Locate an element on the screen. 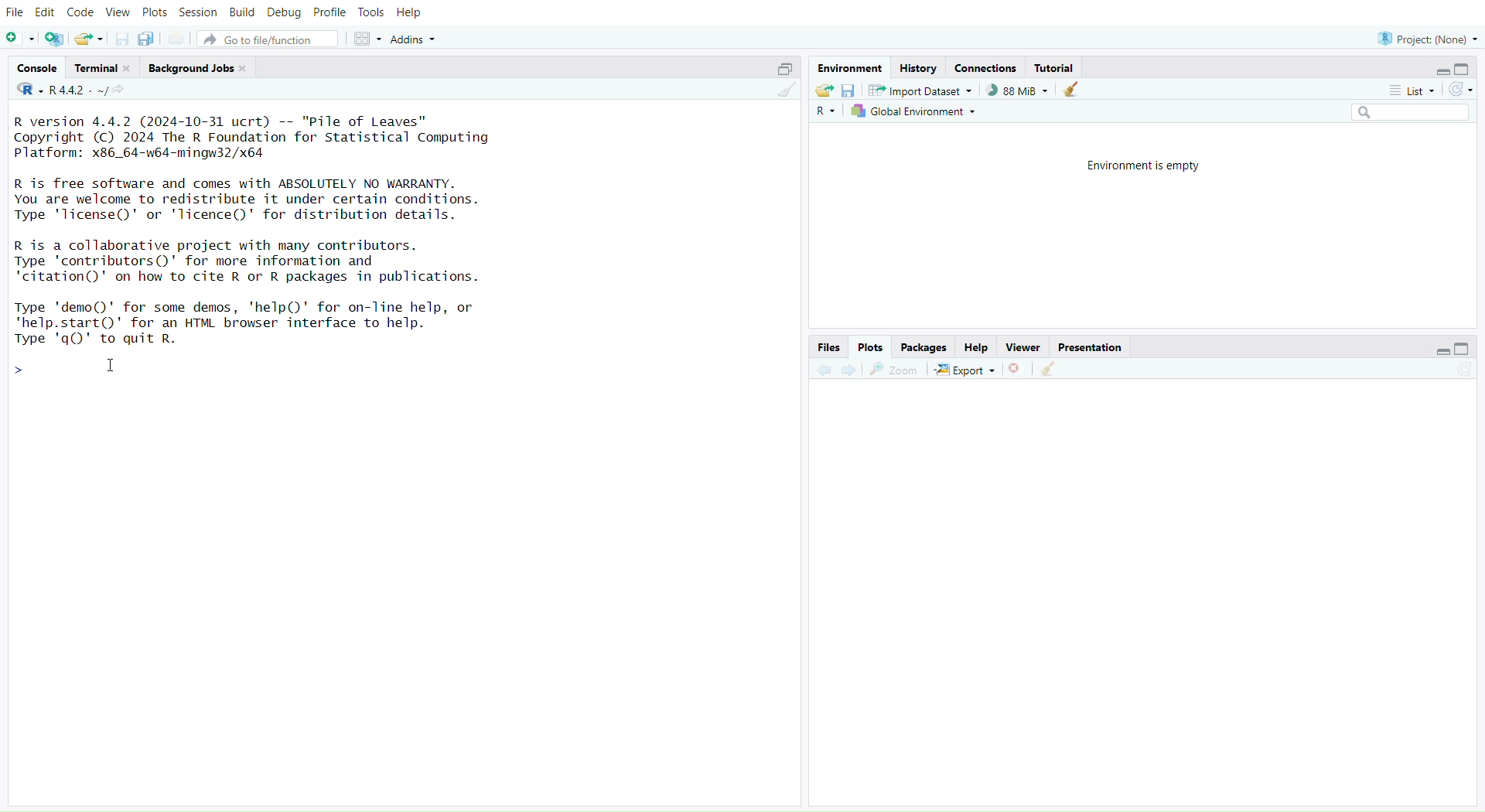 The height and width of the screenshot is (812, 1485). refresh list is located at coordinates (1460, 88).